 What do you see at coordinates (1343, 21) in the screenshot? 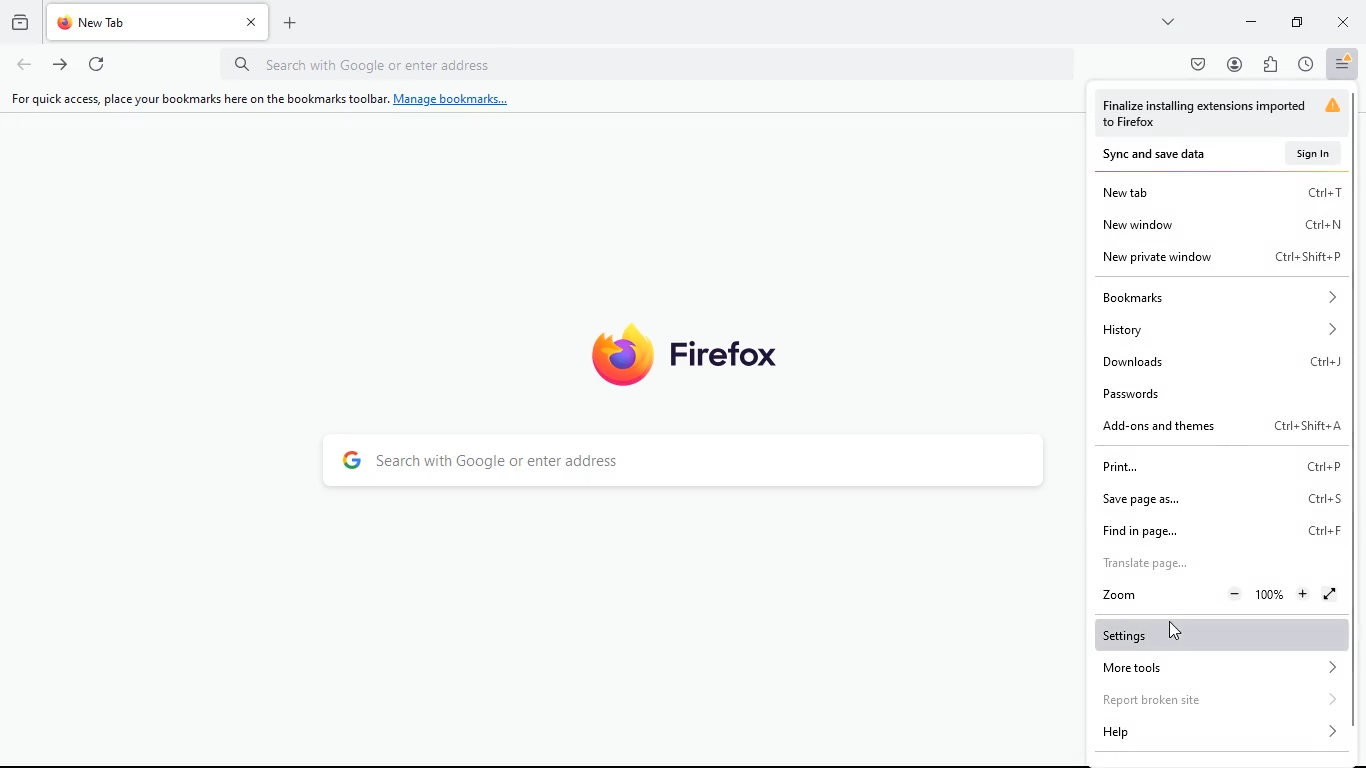
I see `close` at bounding box center [1343, 21].